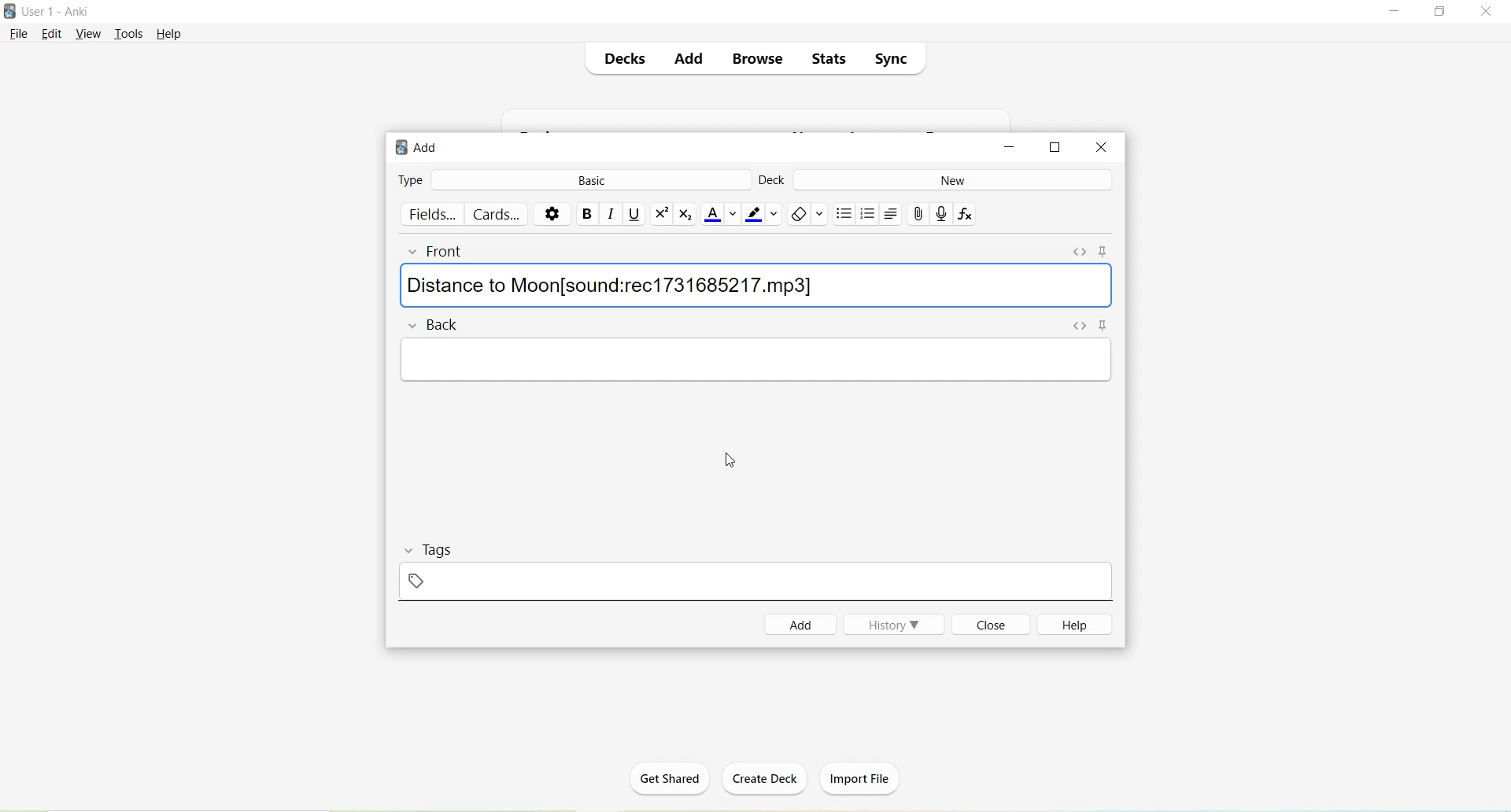 Image resolution: width=1511 pixels, height=812 pixels. What do you see at coordinates (1081, 327) in the screenshot?
I see `Toggle HTML Editor` at bounding box center [1081, 327].